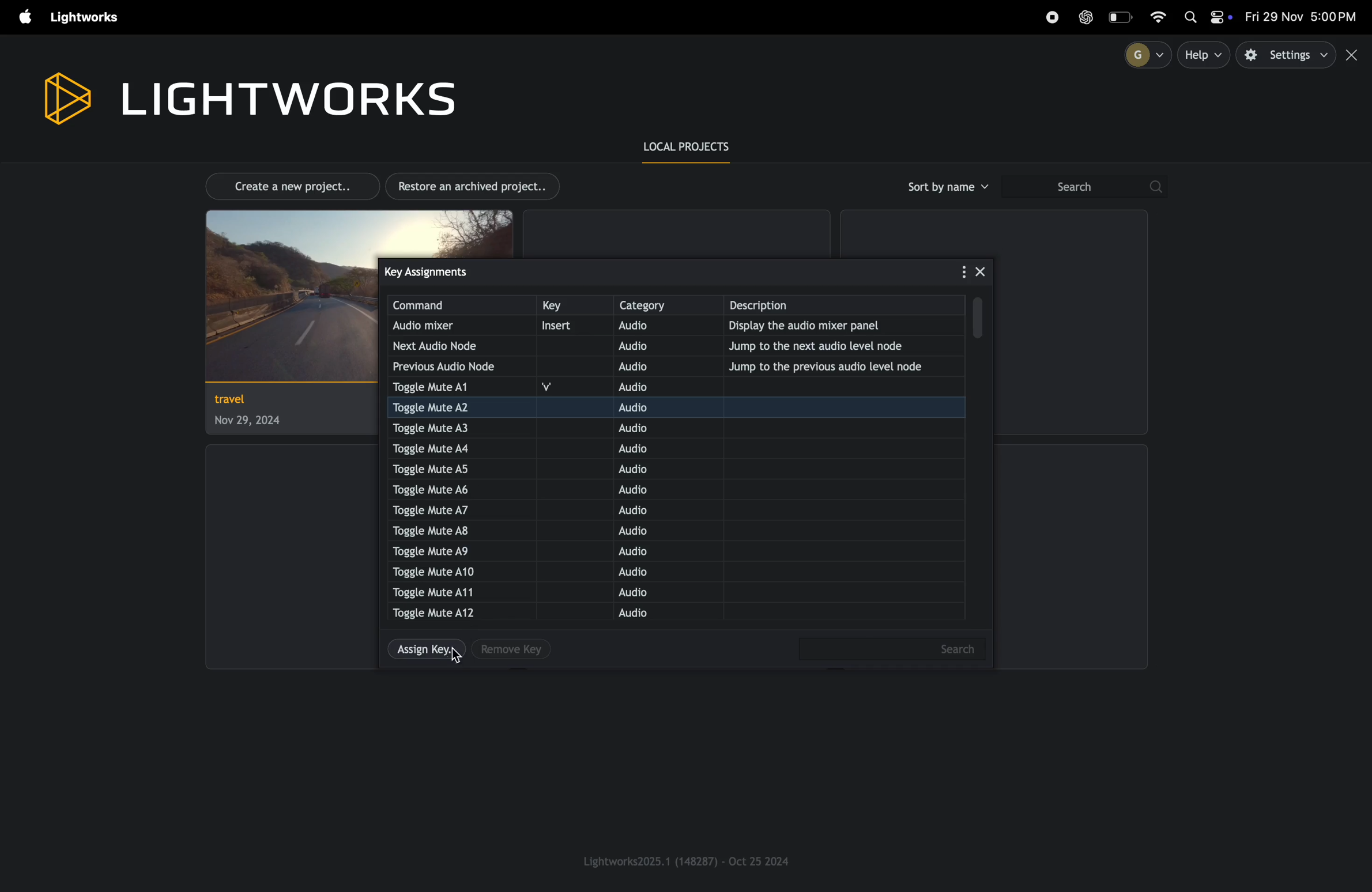 This screenshot has height=892, width=1372. Describe the element at coordinates (648, 428) in the screenshot. I see `audio` at that location.